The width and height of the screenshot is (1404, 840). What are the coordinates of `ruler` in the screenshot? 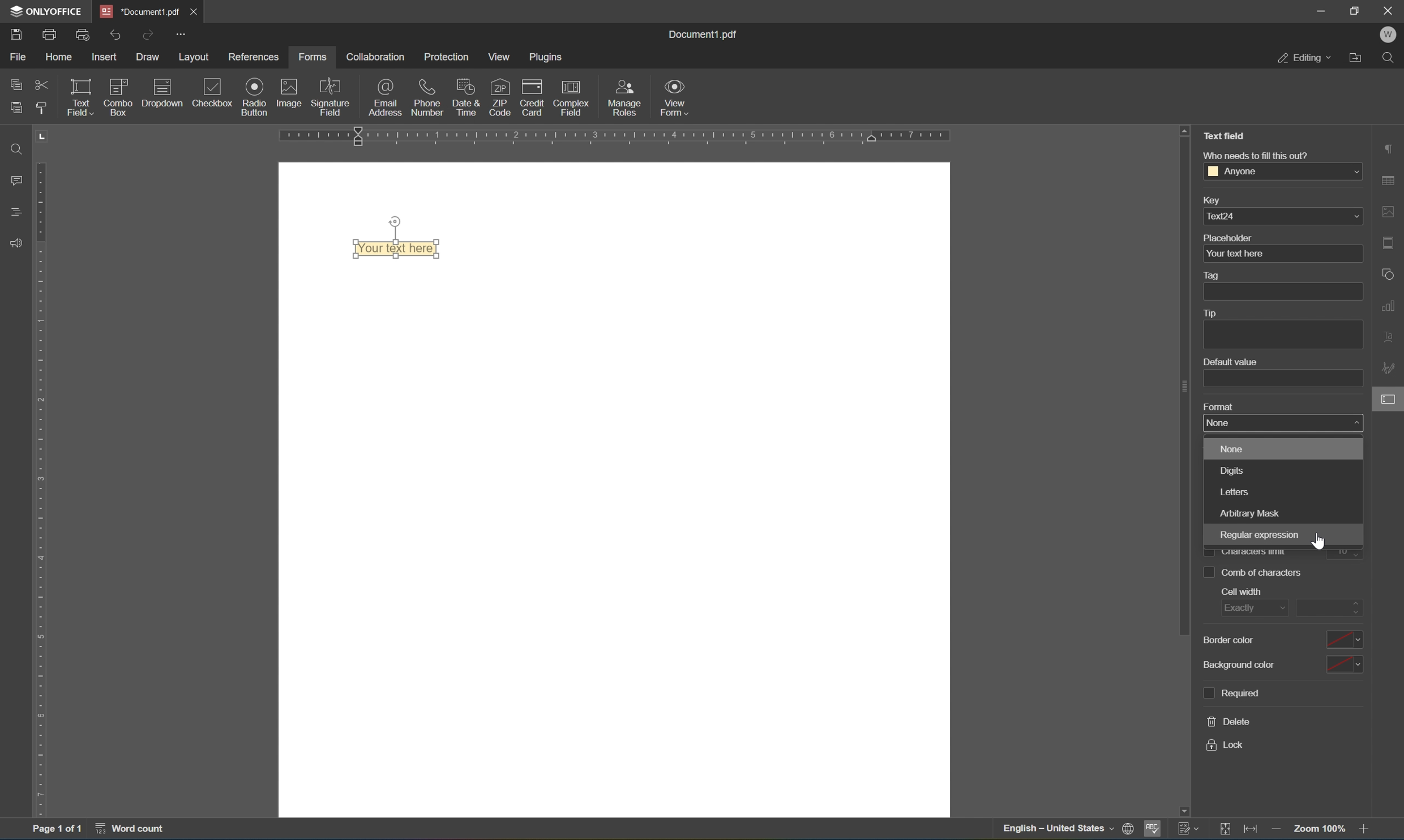 It's located at (657, 136).